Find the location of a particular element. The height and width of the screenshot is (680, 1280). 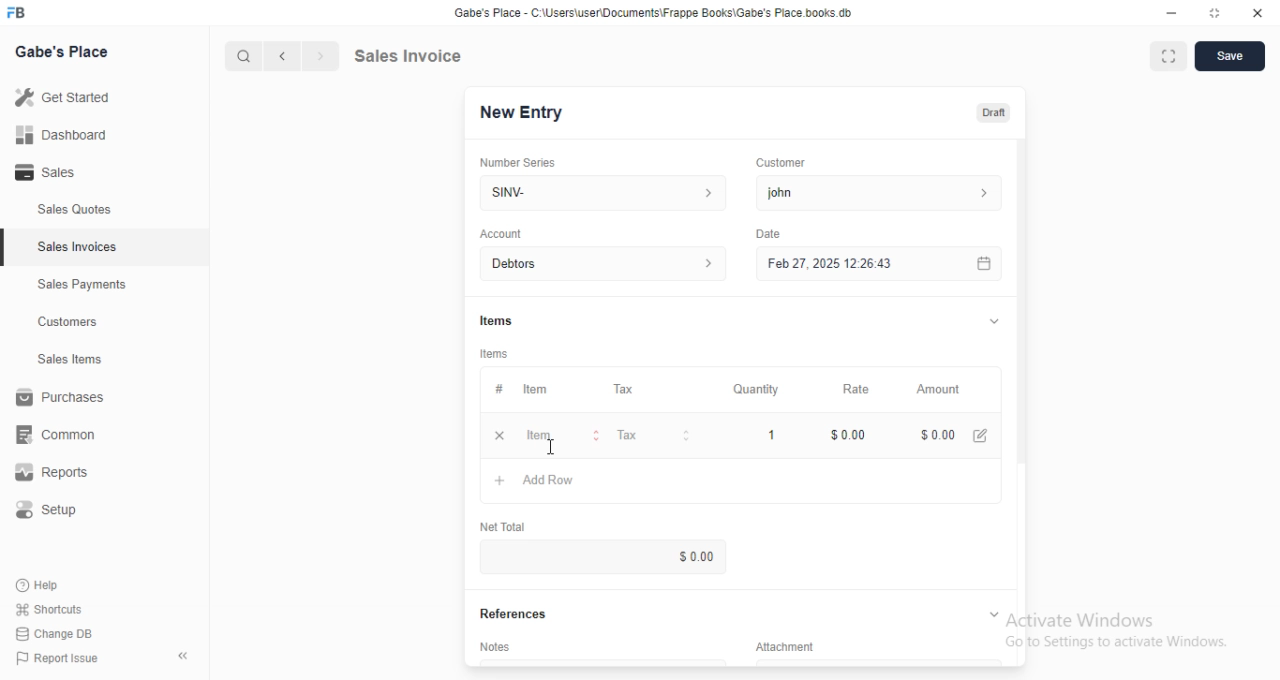

Rate is located at coordinates (861, 388).